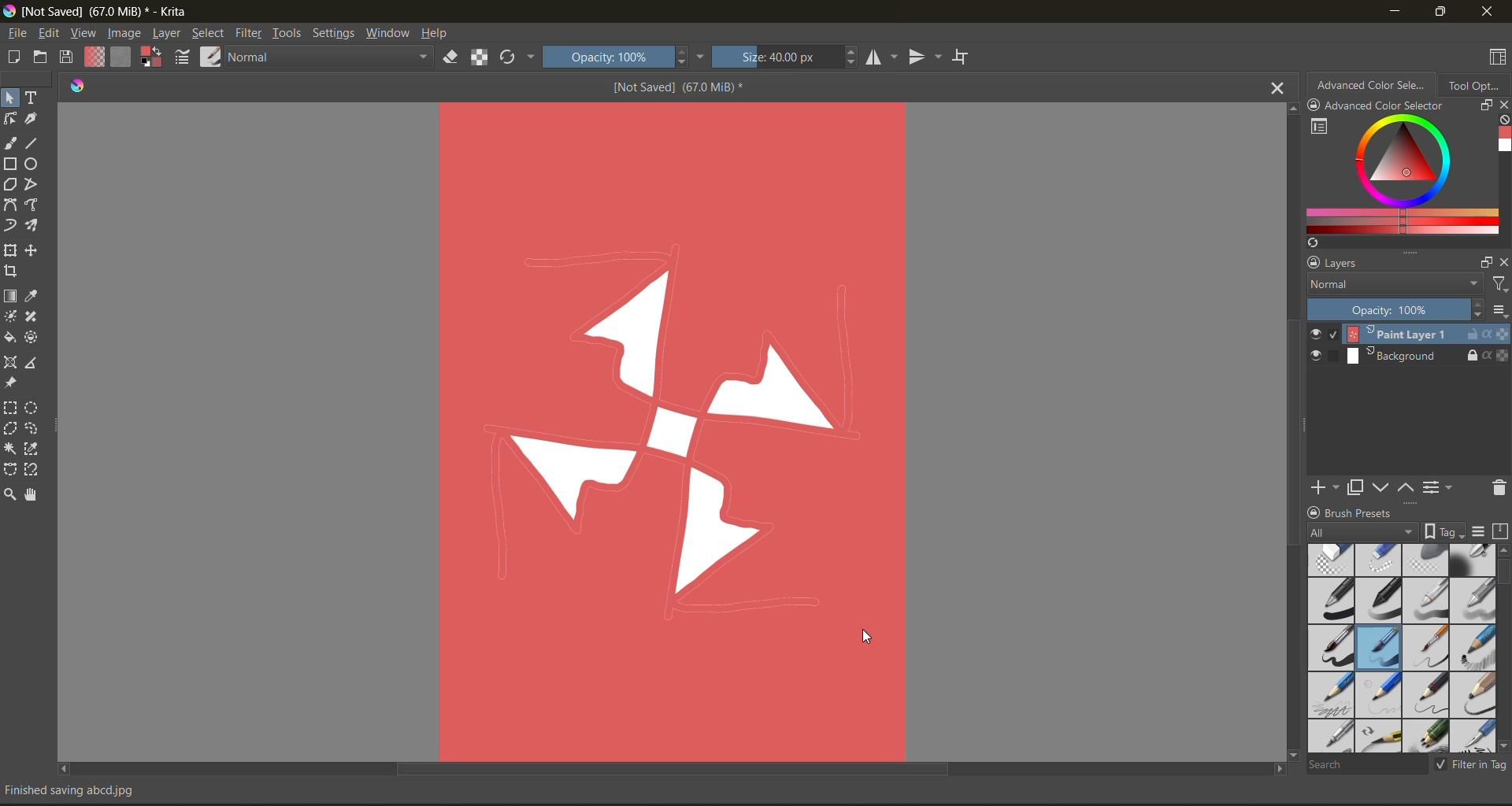 This screenshot has height=806, width=1512. What do you see at coordinates (1389, 531) in the screenshot?
I see `tag` at bounding box center [1389, 531].